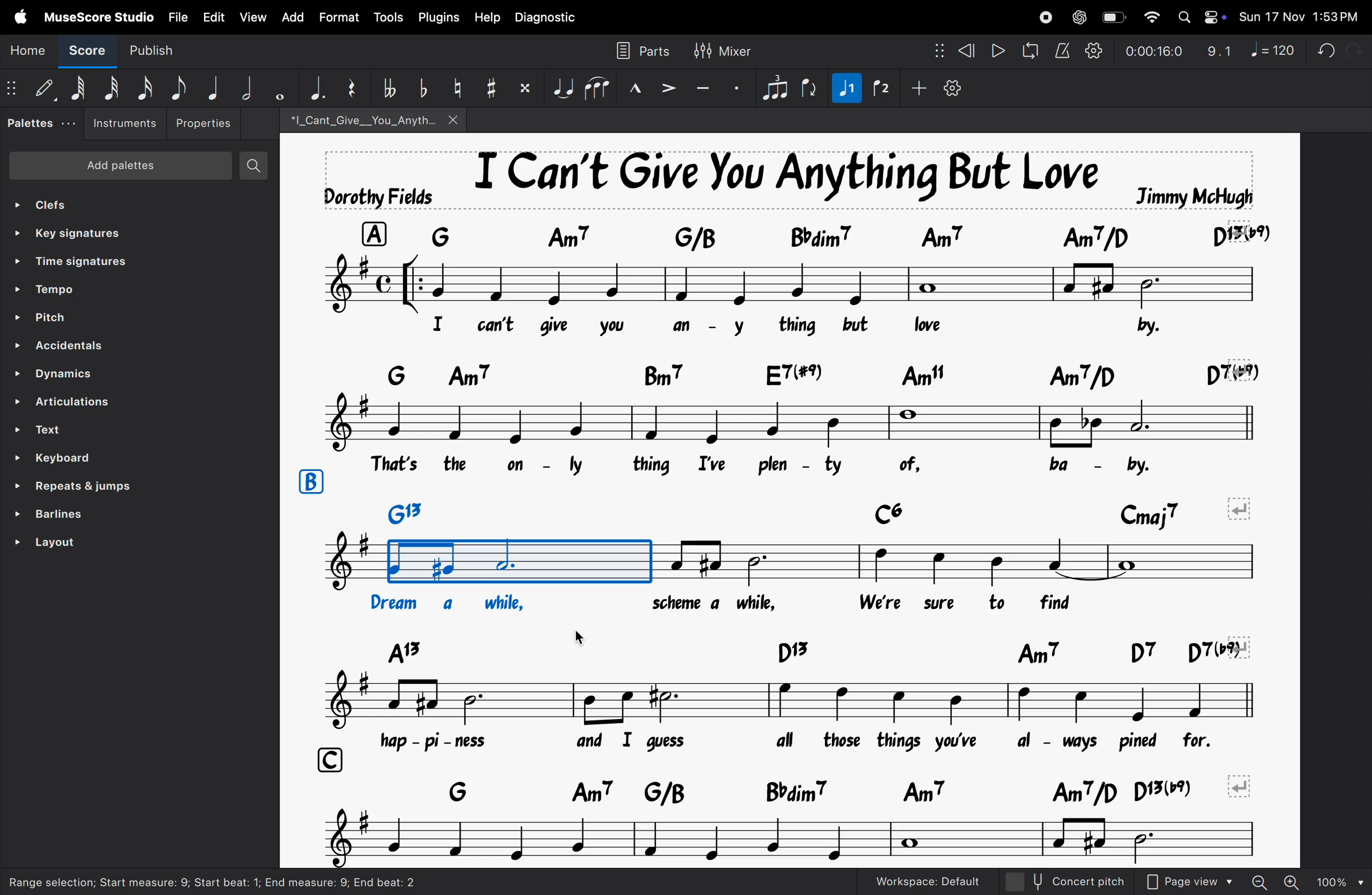 This screenshot has height=895, width=1372. Describe the element at coordinates (880, 88) in the screenshot. I see `rythym 2` at that location.